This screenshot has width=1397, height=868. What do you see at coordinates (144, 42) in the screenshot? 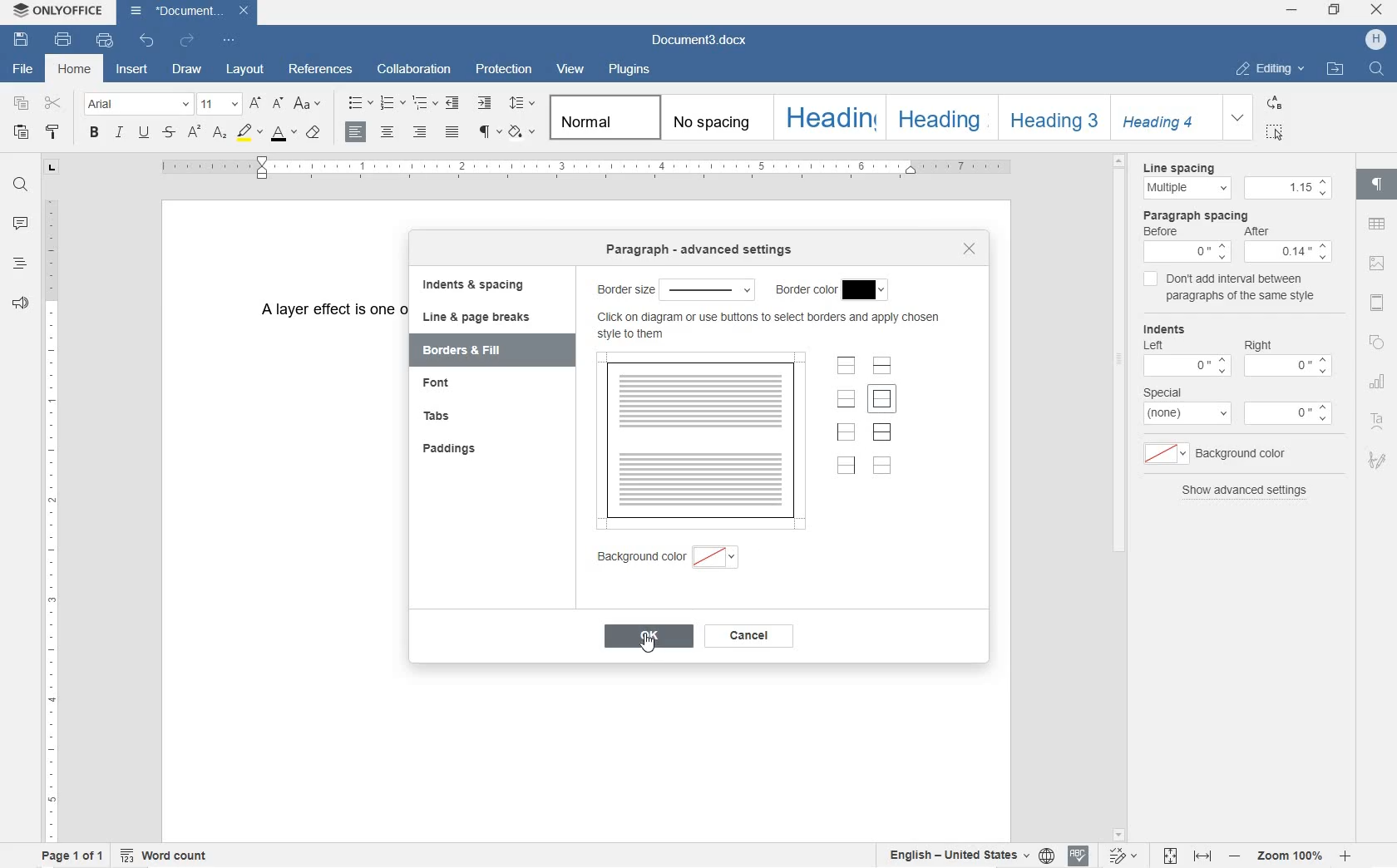
I see `UNDO` at bounding box center [144, 42].